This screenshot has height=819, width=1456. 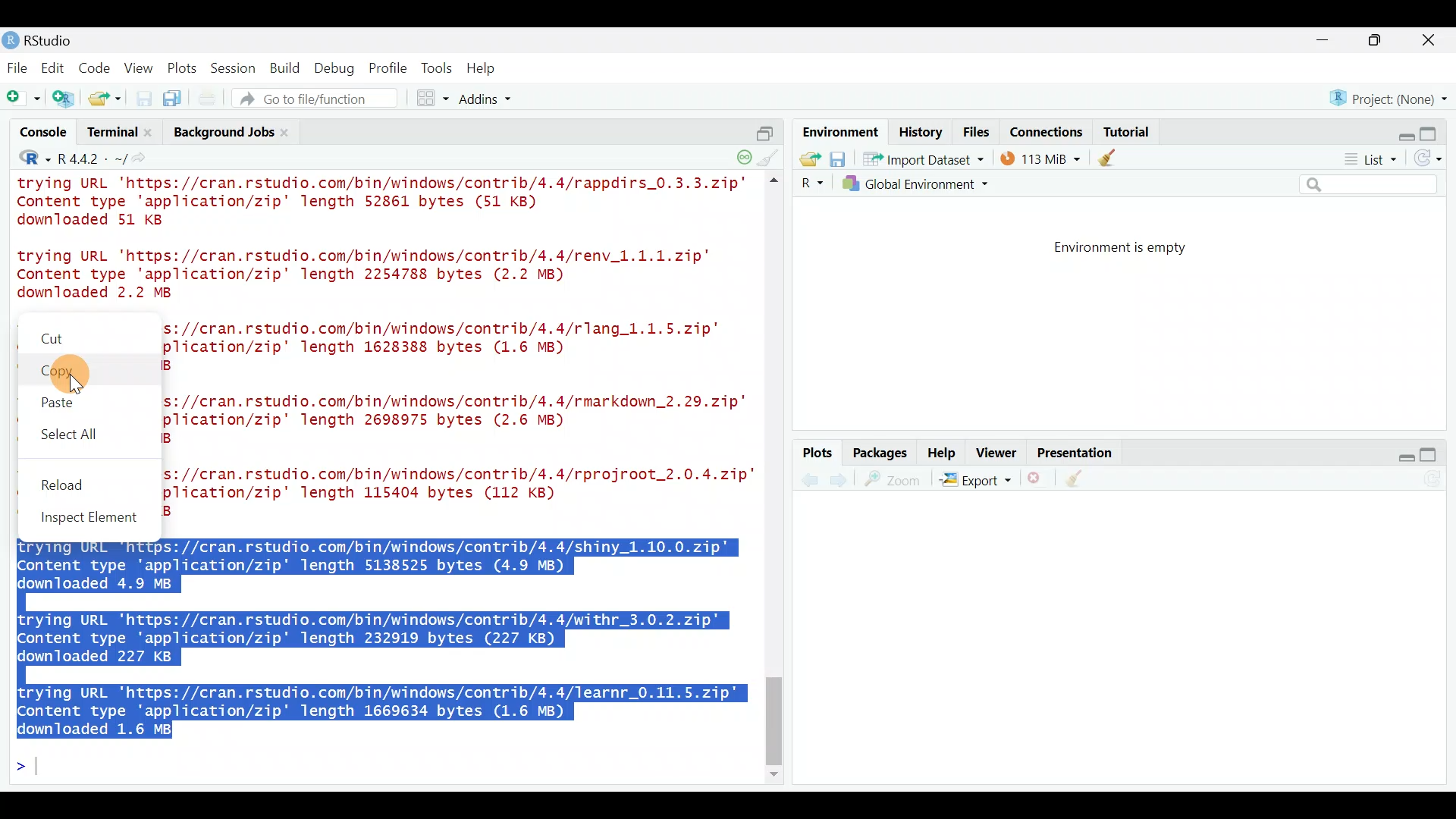 What do you see at coordinates (22, 99) in the screenshot?
I see `New file` at bounding box center [22, 99].